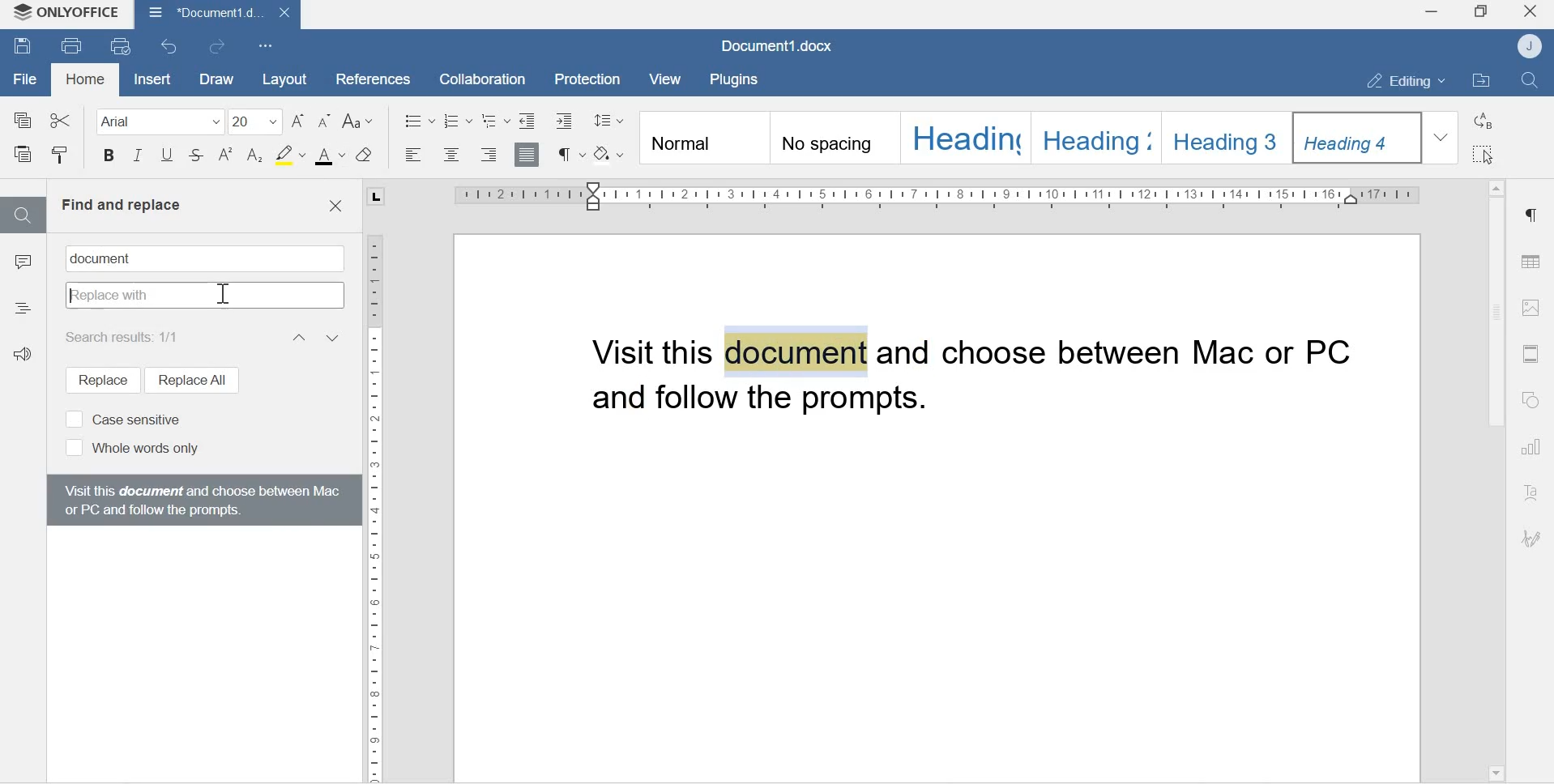 The image size is (1554, 784). I want to click on Replace, so click(96, 380).